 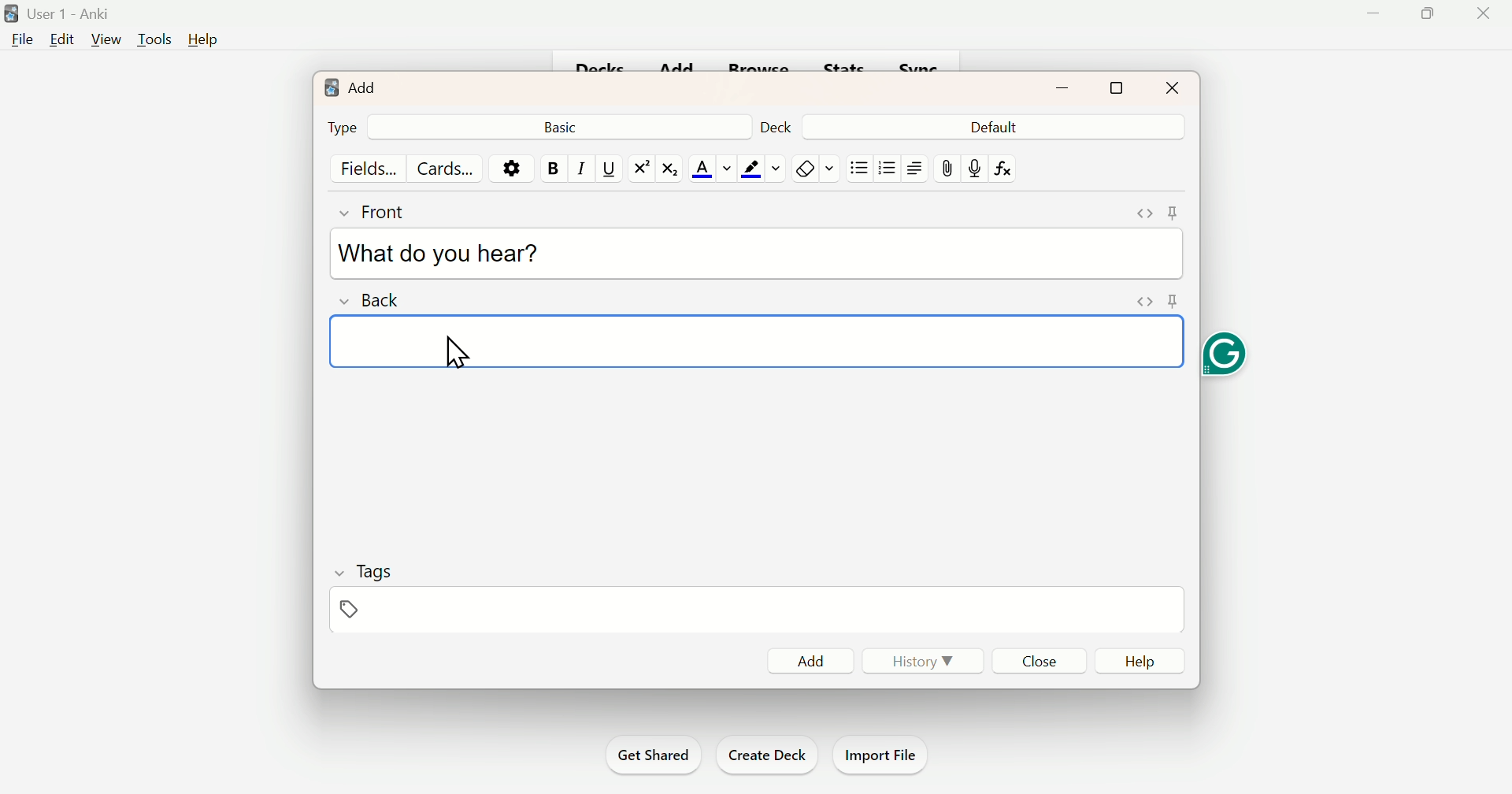 What do you see at coordinates (806, 659) in the screenshot?
I see `Add` at bounding box center [806, 659].